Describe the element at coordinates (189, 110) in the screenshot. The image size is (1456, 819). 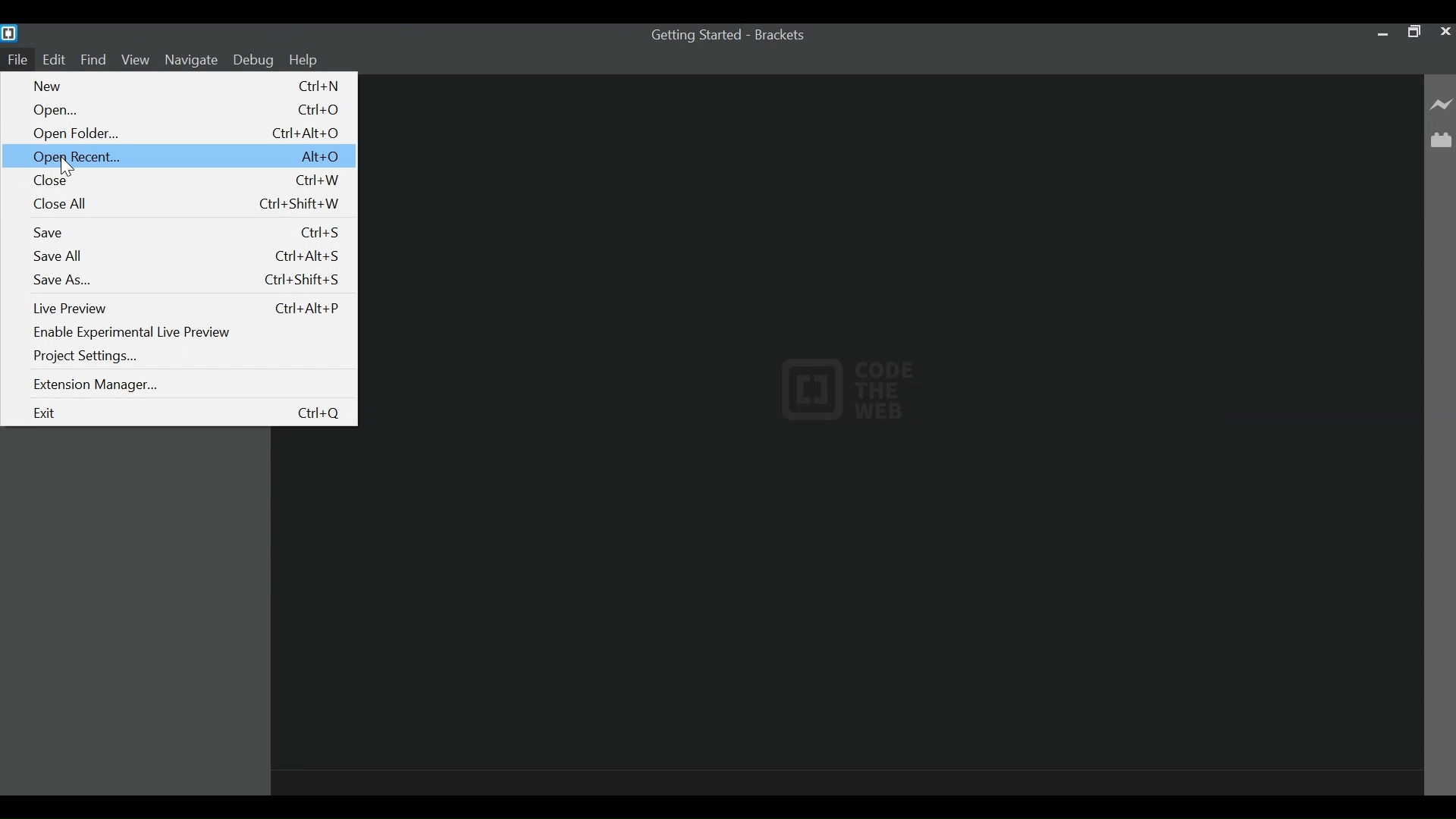
I see `Open` at that location.